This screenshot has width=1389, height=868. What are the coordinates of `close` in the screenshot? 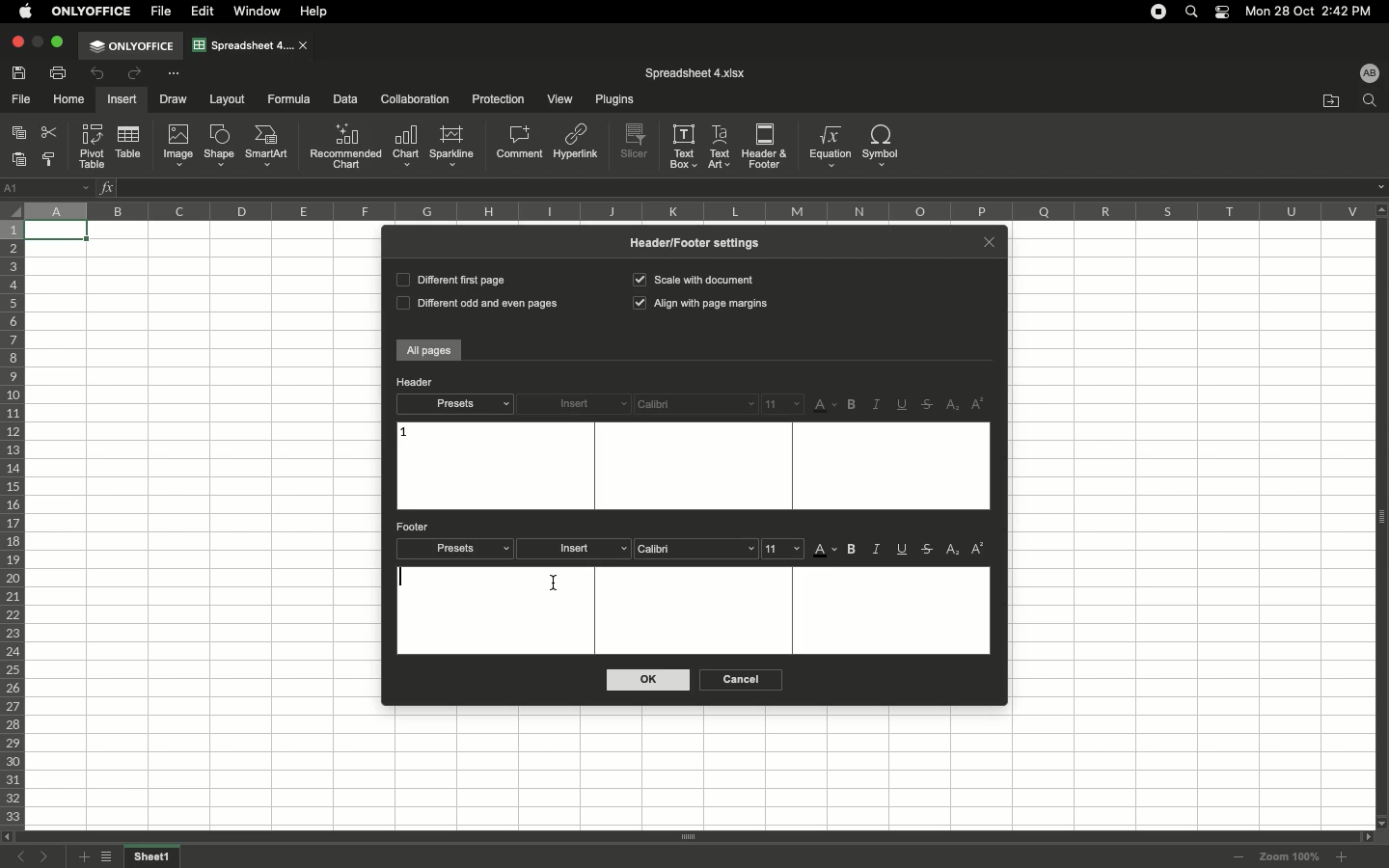 It's located at (305, 46).